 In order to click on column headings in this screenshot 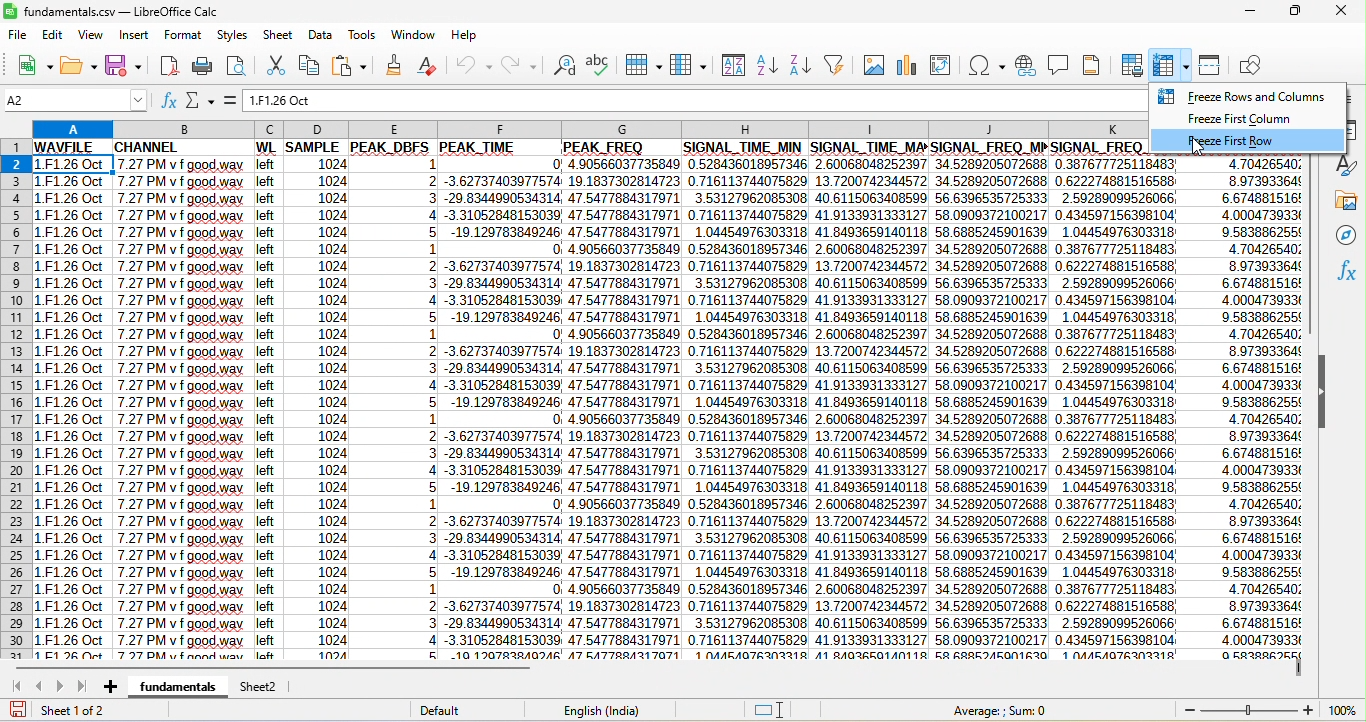, I will do `click(587, 129)`.